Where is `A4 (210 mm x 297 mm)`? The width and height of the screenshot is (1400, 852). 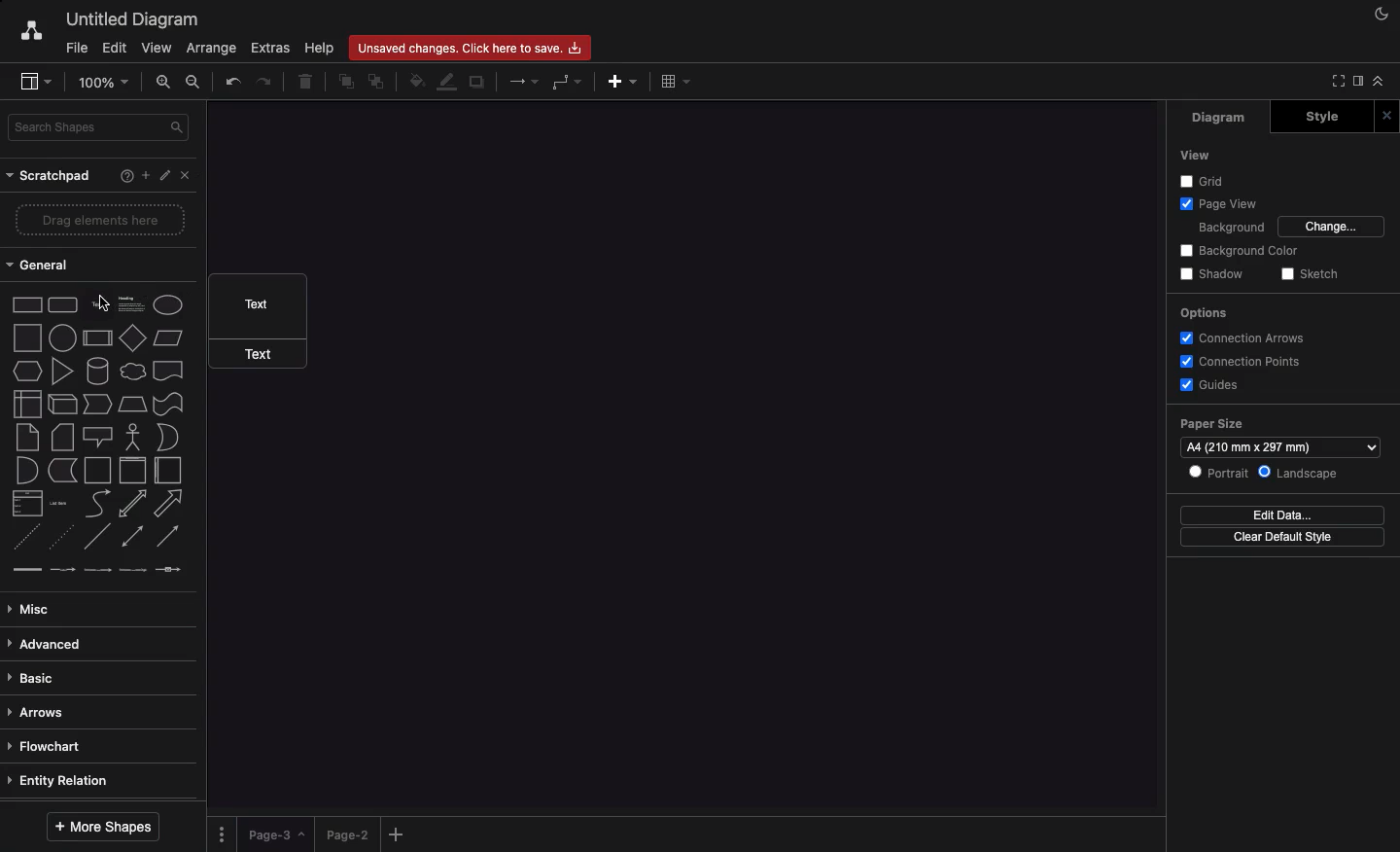 A4 (210 mm x 297 mm) is located at coordinates (1281, 446).